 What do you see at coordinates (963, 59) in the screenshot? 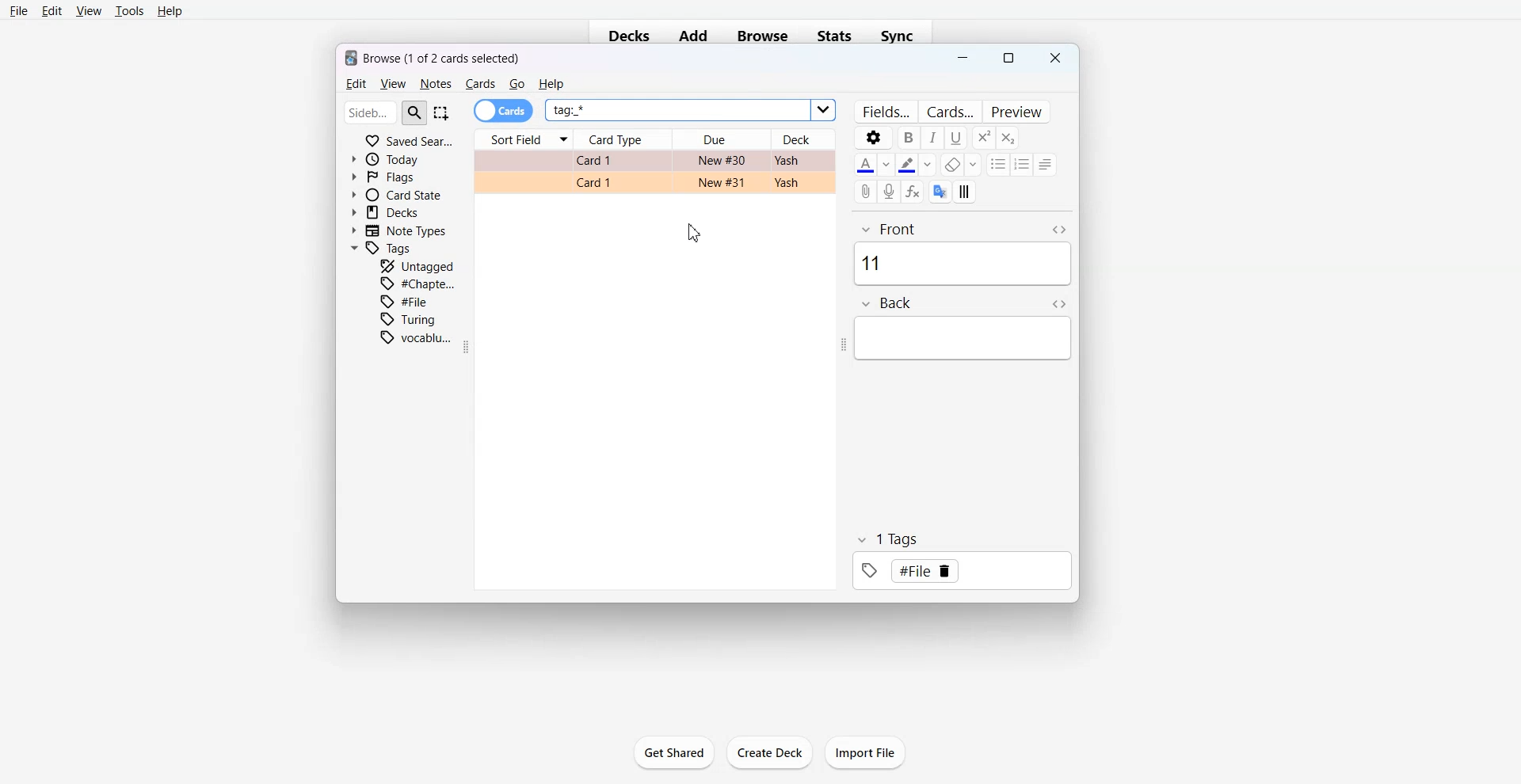
I see `Minimize` at bounding box center [963, 59].